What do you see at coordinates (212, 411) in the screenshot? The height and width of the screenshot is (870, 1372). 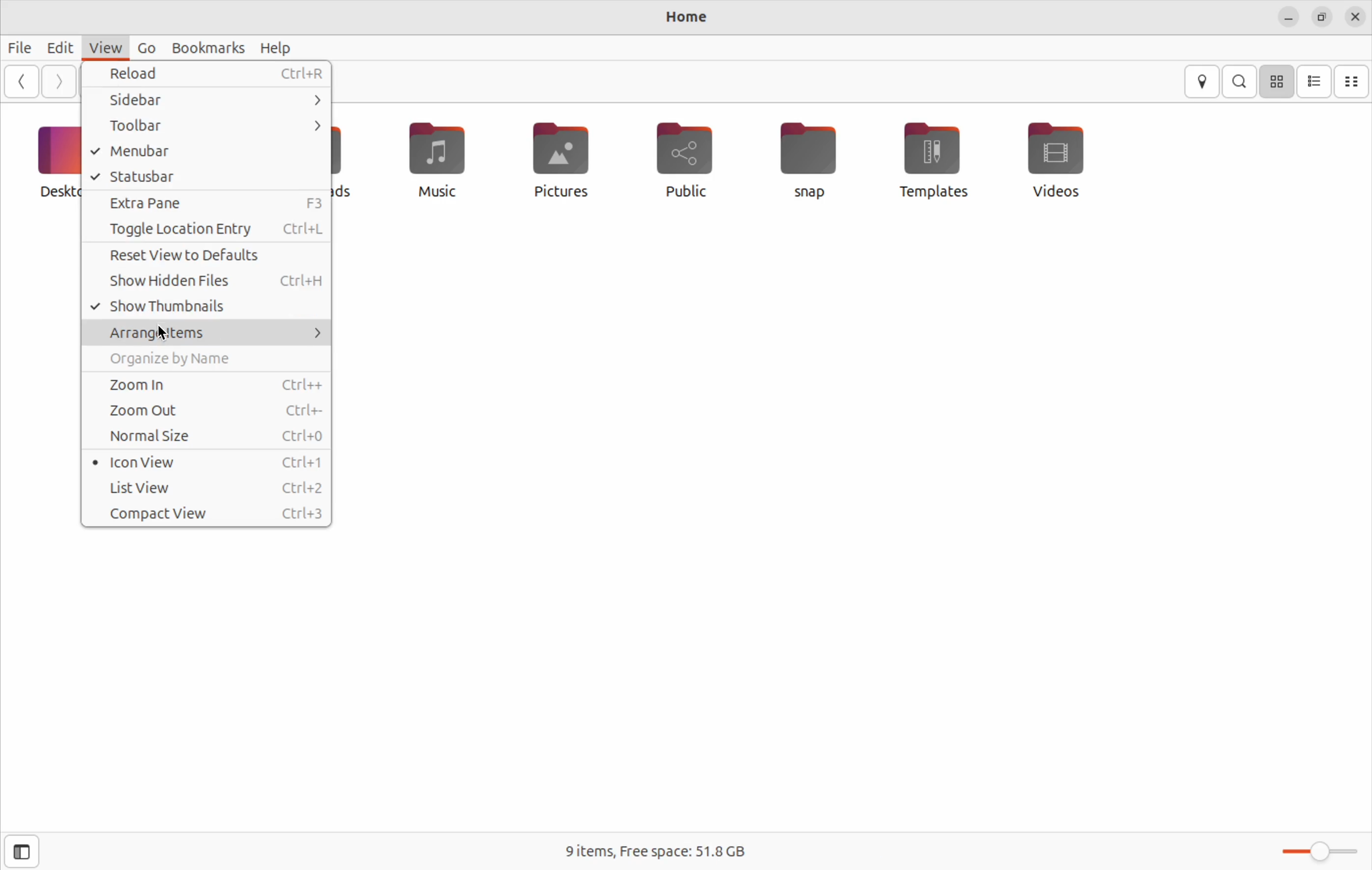 I see `zoom out` at bounding box center [212, 411].